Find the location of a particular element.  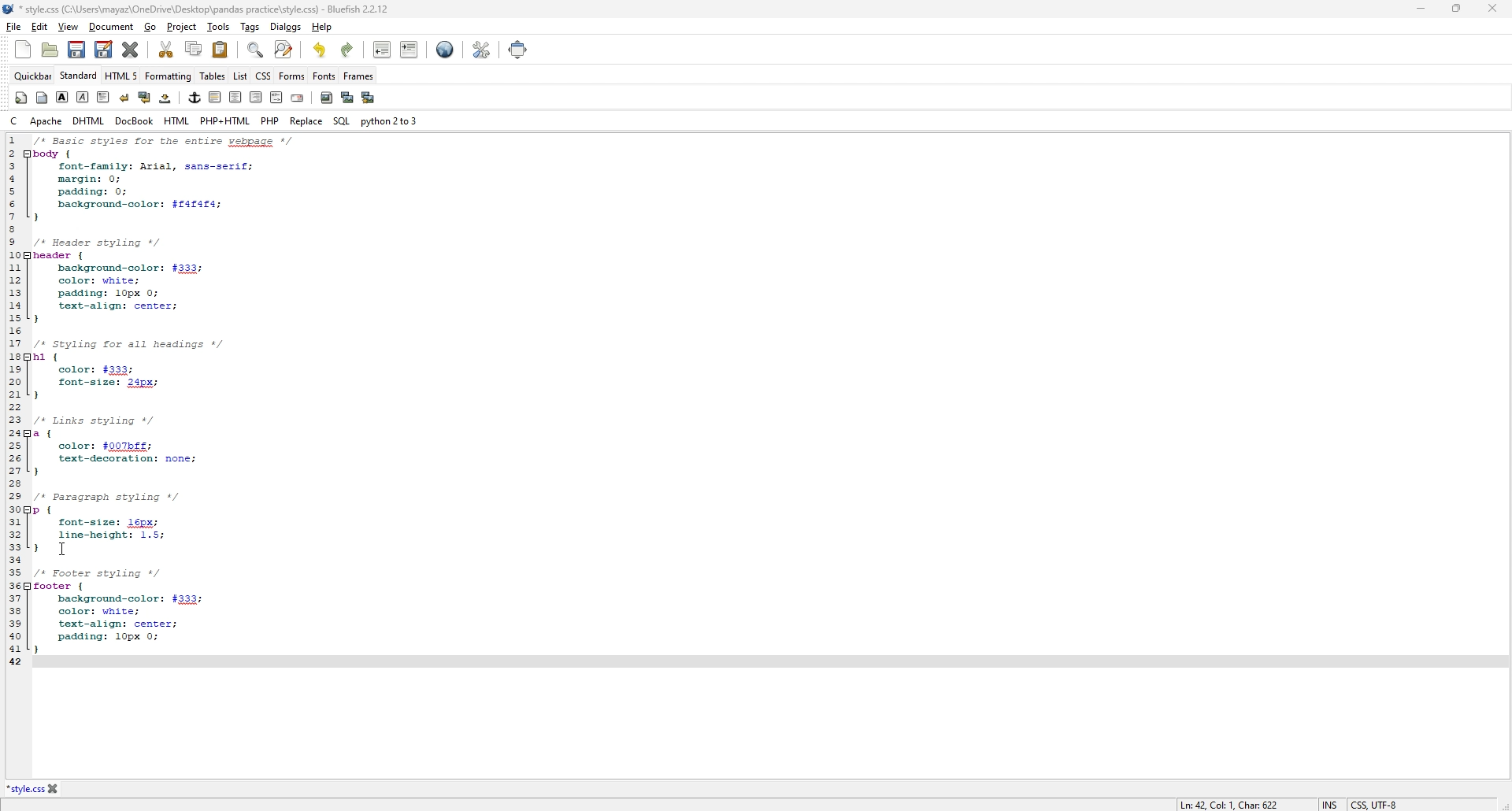

php+html is located at coordinates (225, 120).